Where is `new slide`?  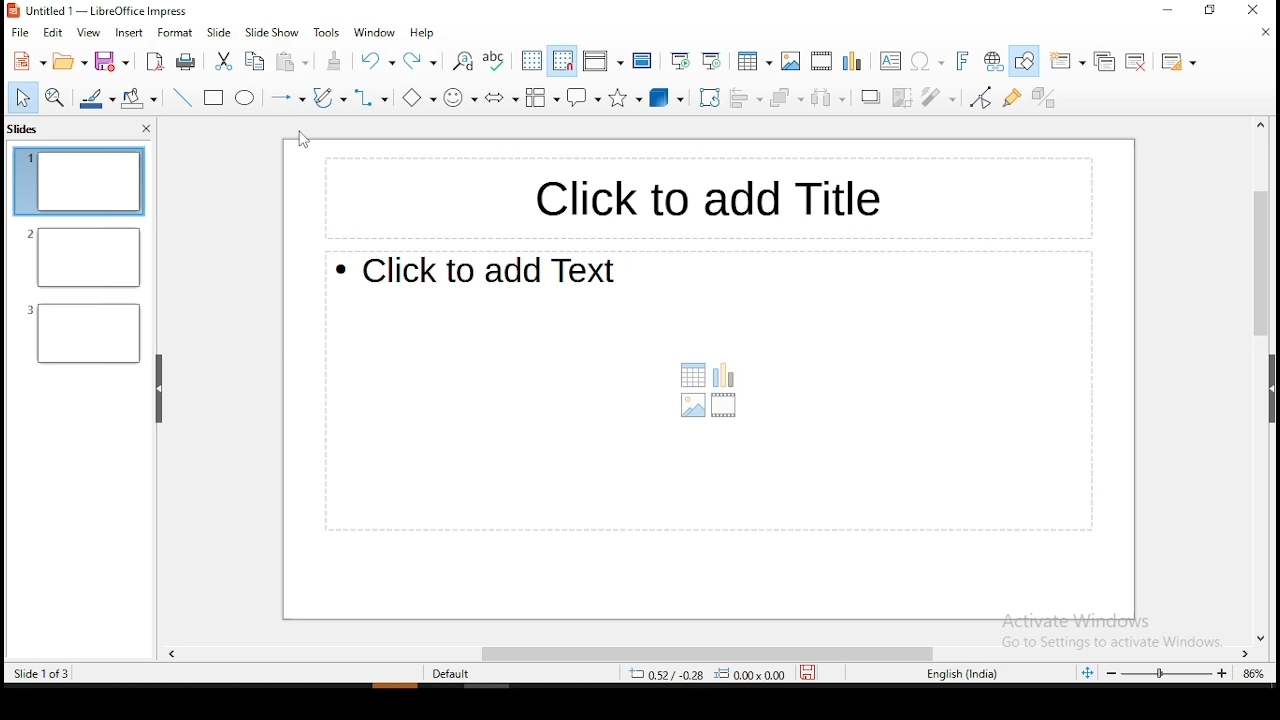
new slide is located at coordinates (1065, 60).